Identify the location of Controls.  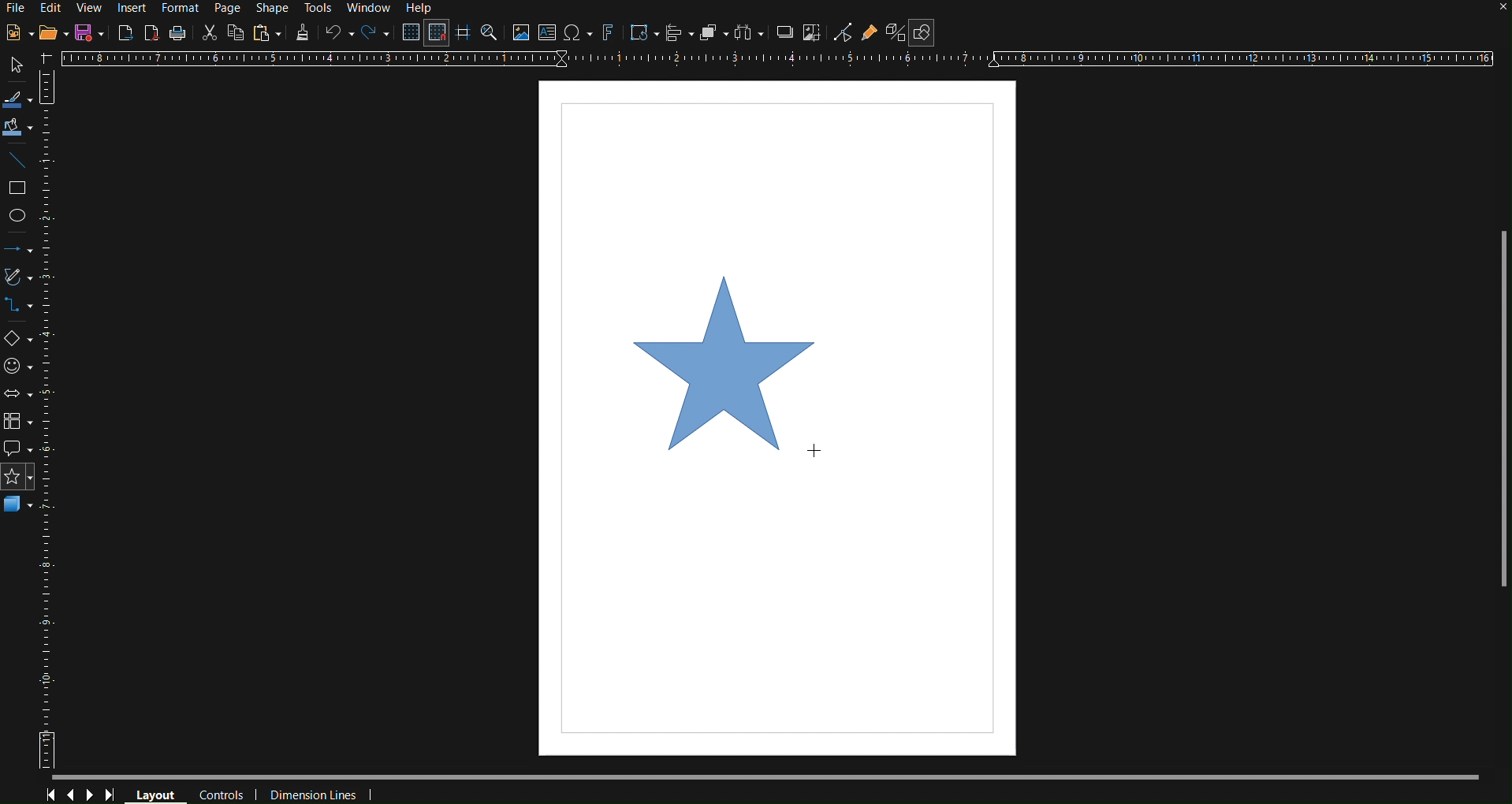
(81, 795).